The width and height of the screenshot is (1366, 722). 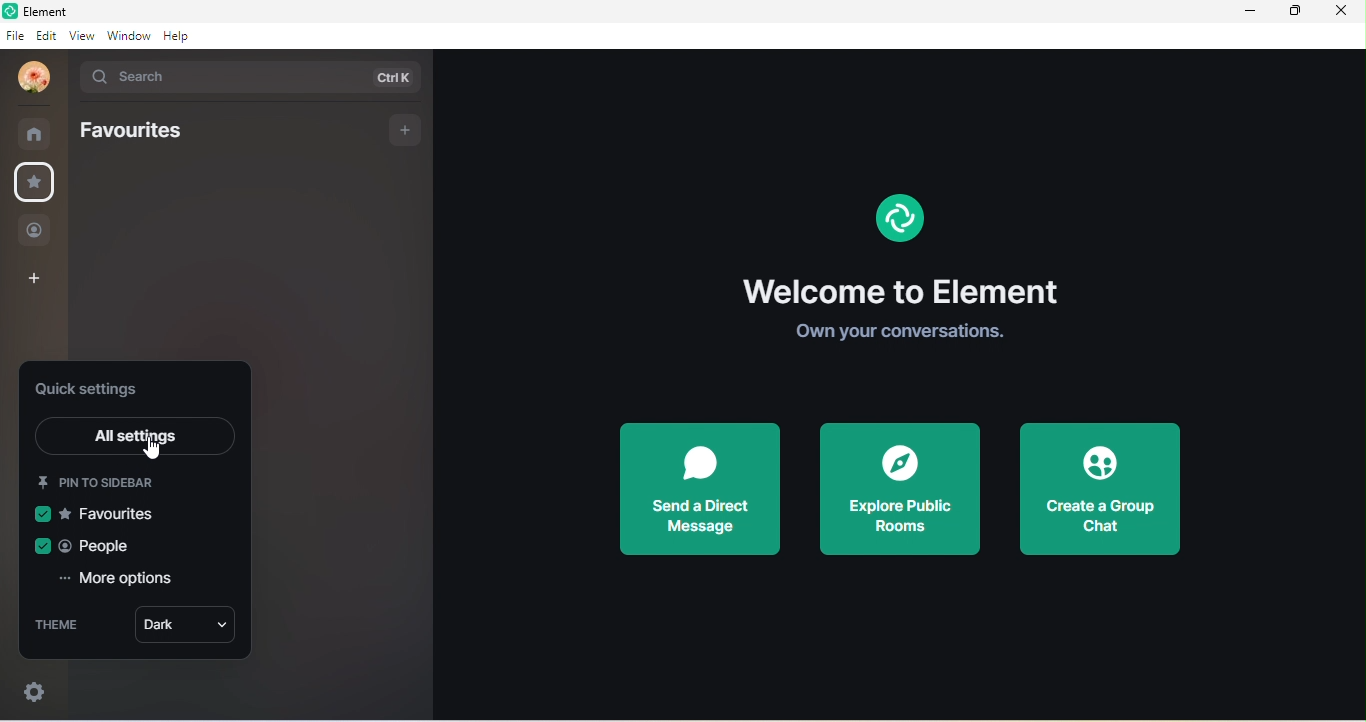 I want to click on minimize, so click(x=1245, y=14).